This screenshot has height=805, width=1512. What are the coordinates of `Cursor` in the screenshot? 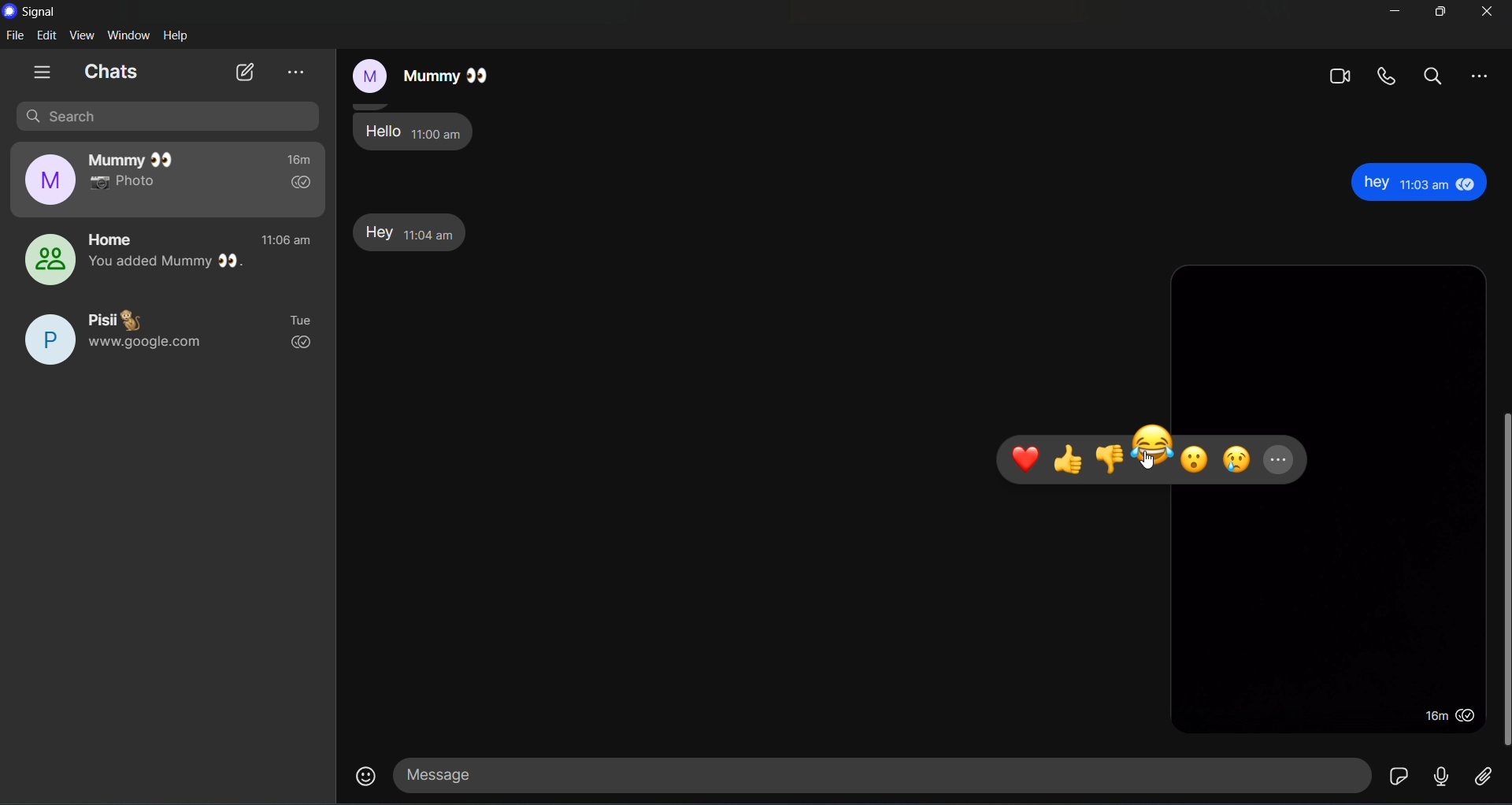 It's located at (1149, 462).